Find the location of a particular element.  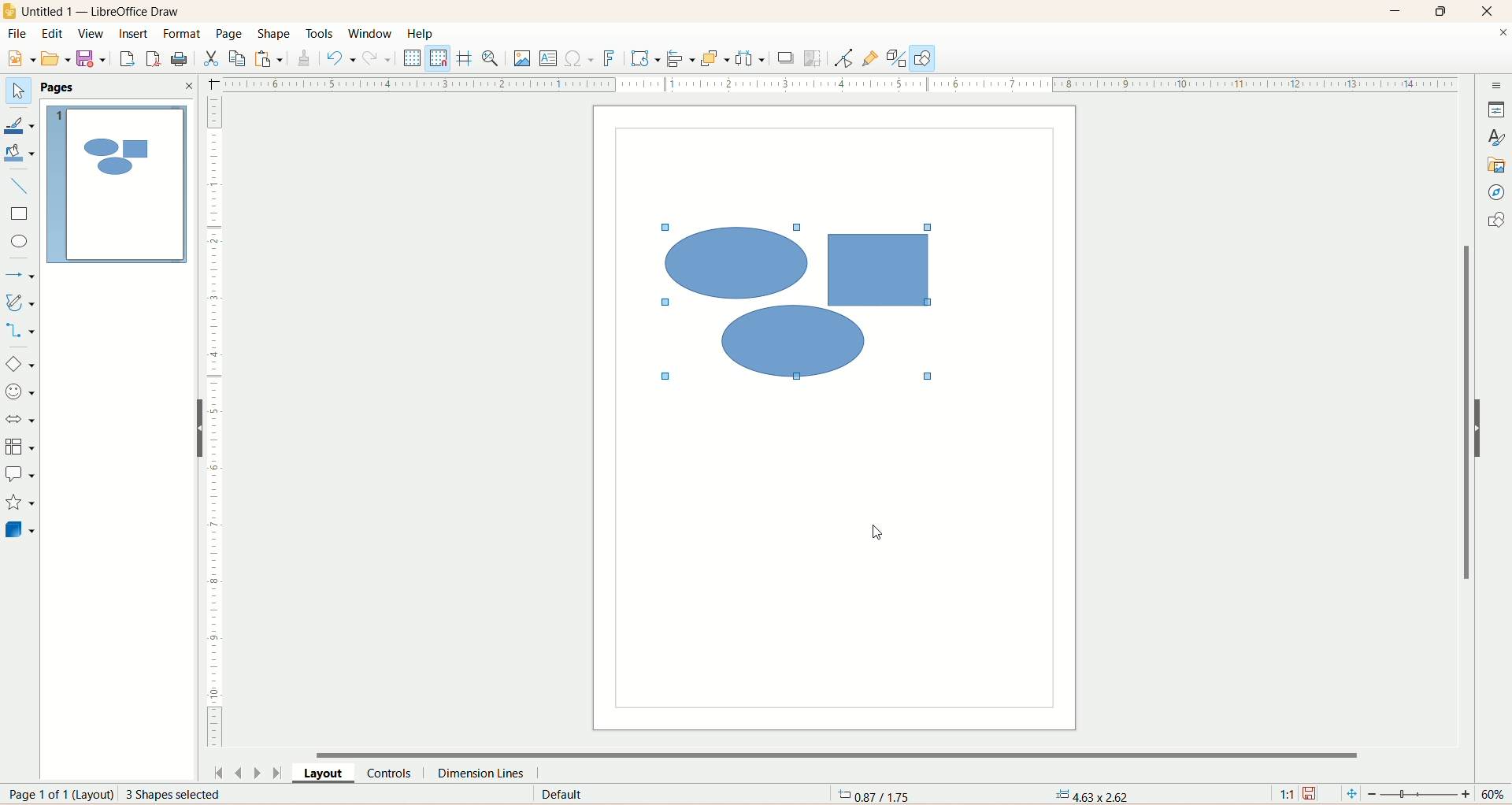

zoom and pan is located at coordinates (493, 58).